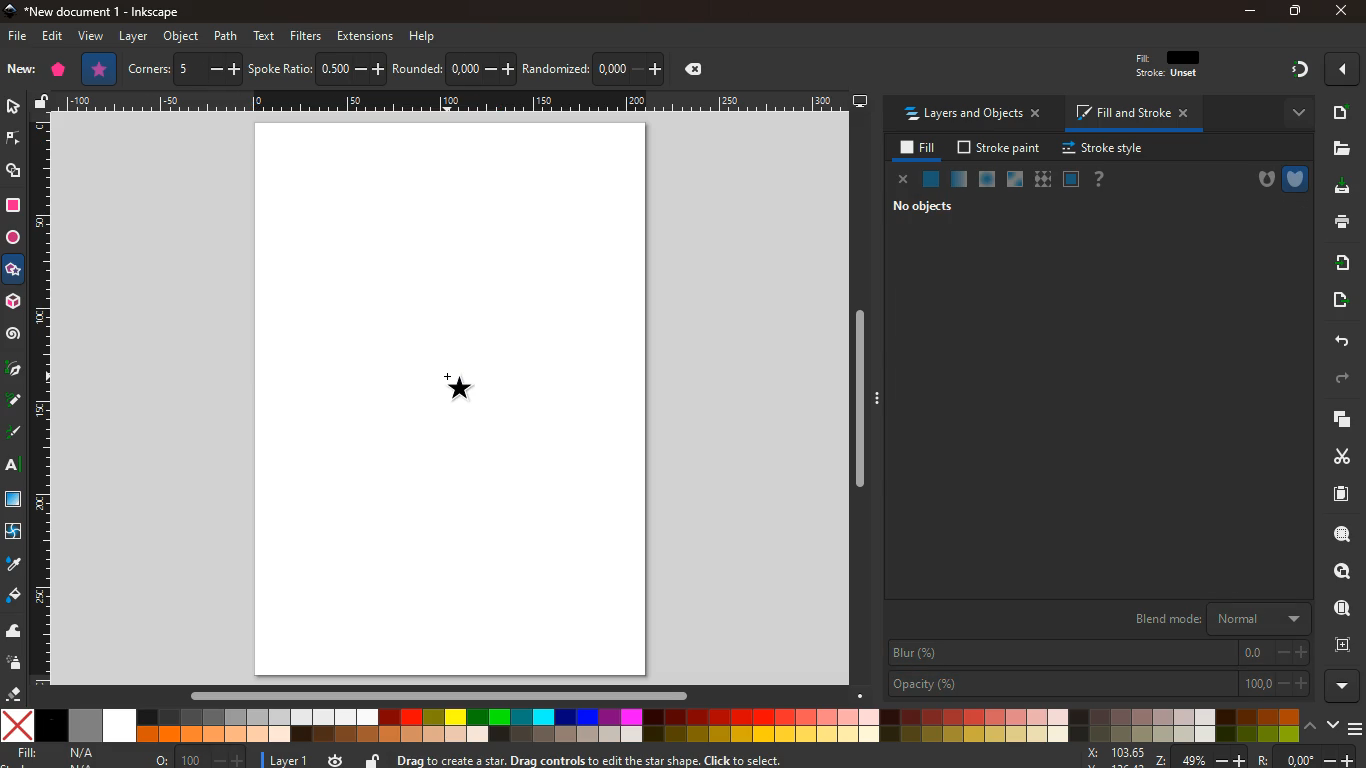 This screenshot has height=768, width=1366. Describe the element at coordinates (180, 36) in the screenshot. I see `object` at that location.